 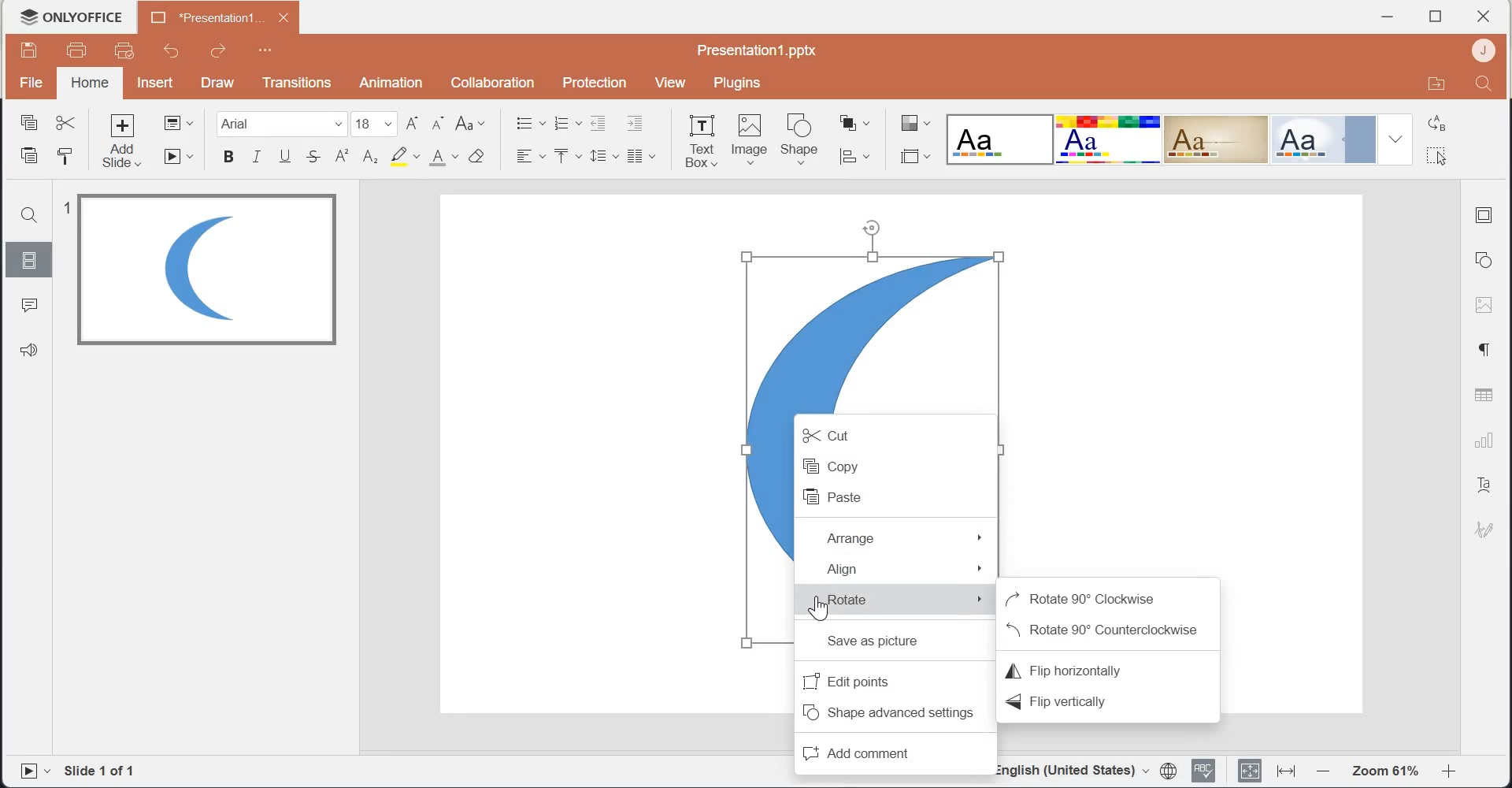 What do you see at coordinates (1435, 84) in the screenshot?
I see `Open in file location` at bounding box center [1435, 84].